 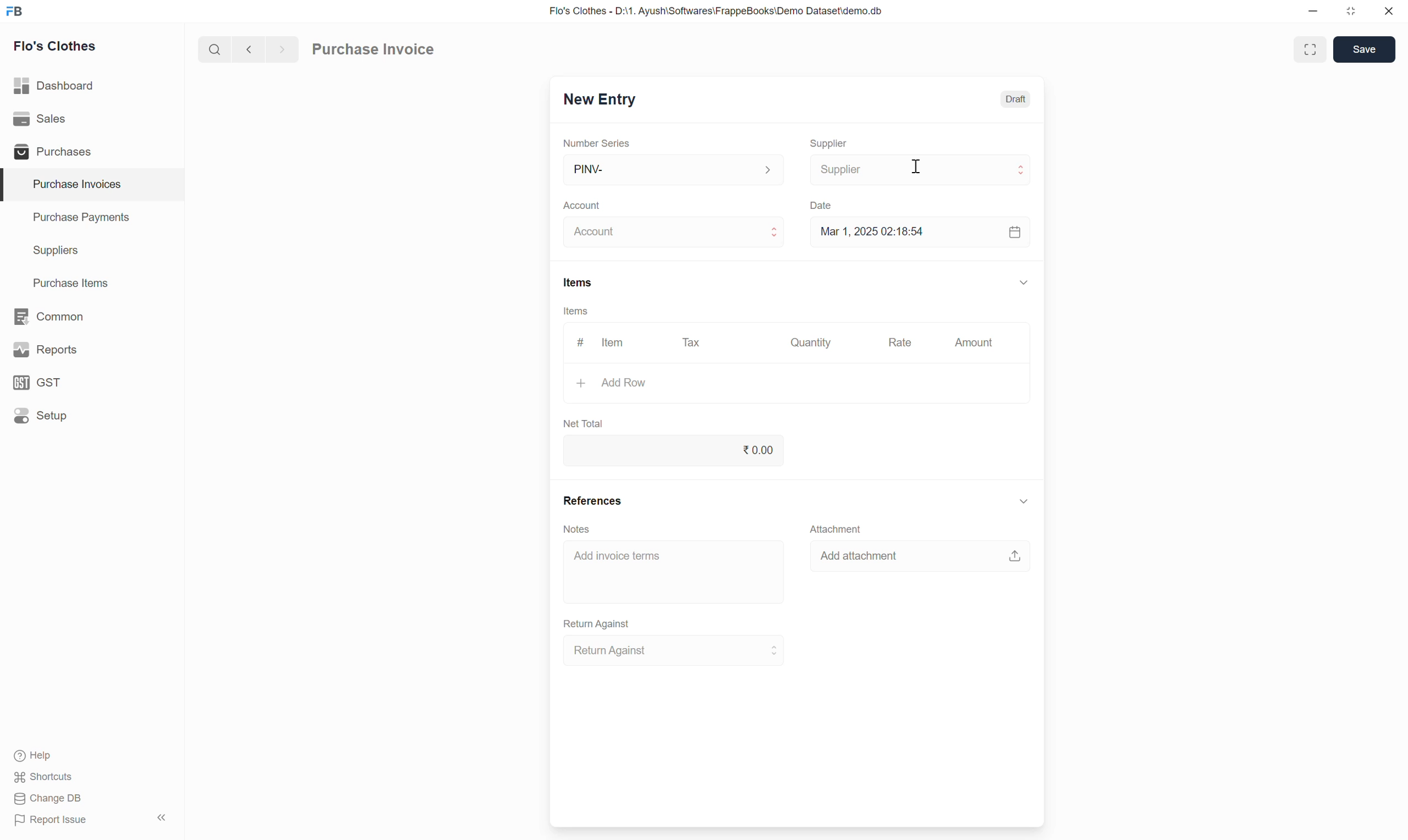 What do you see at coordinates (597, 143) in the screenshot?
I see `Number Series` at bounding box center [597, 143].